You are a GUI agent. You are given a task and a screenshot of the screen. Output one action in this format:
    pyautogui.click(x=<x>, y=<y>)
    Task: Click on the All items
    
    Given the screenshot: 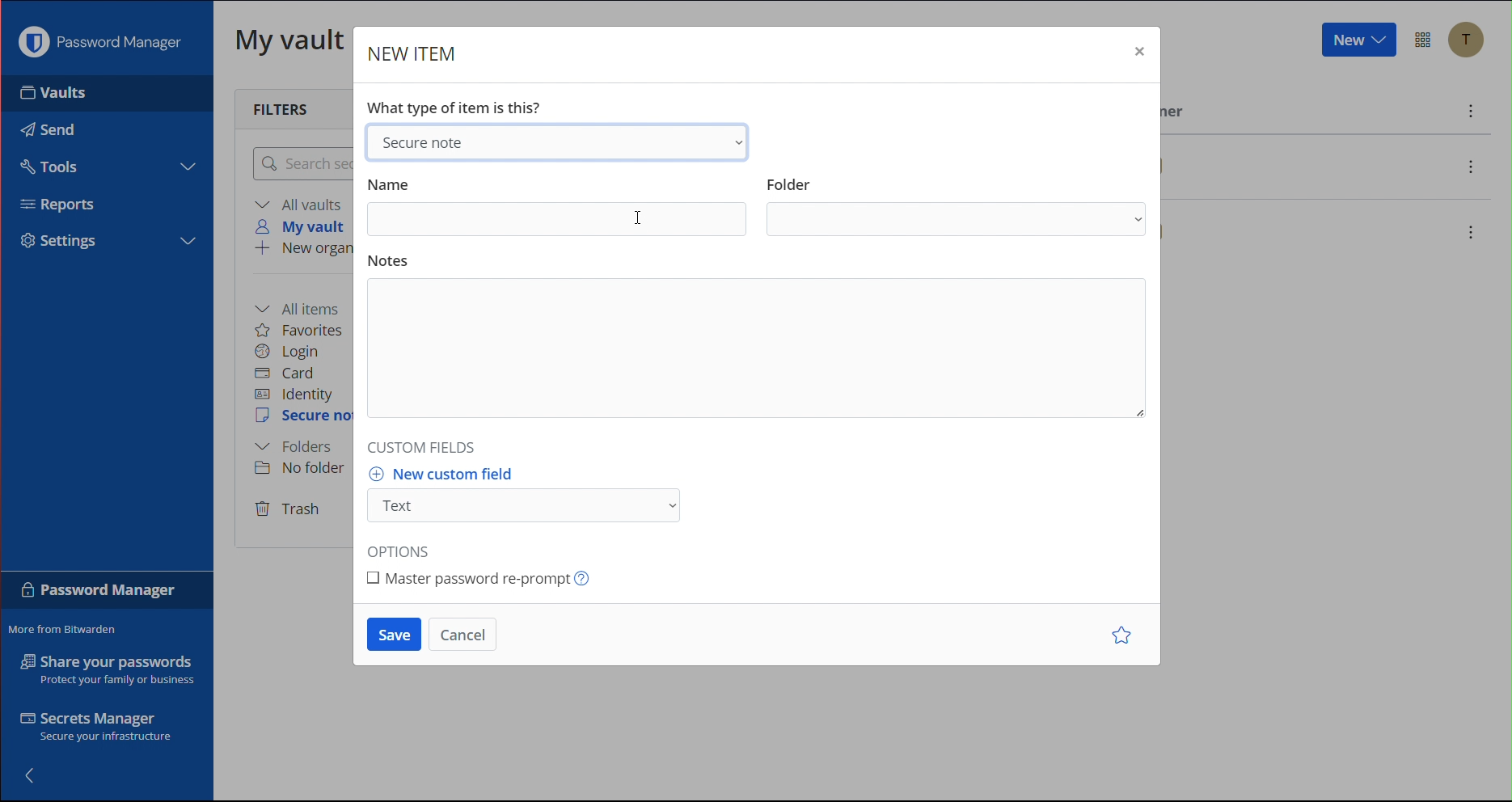 What is the action you would take?
    pyautogui.click(x=305, y=305)
    